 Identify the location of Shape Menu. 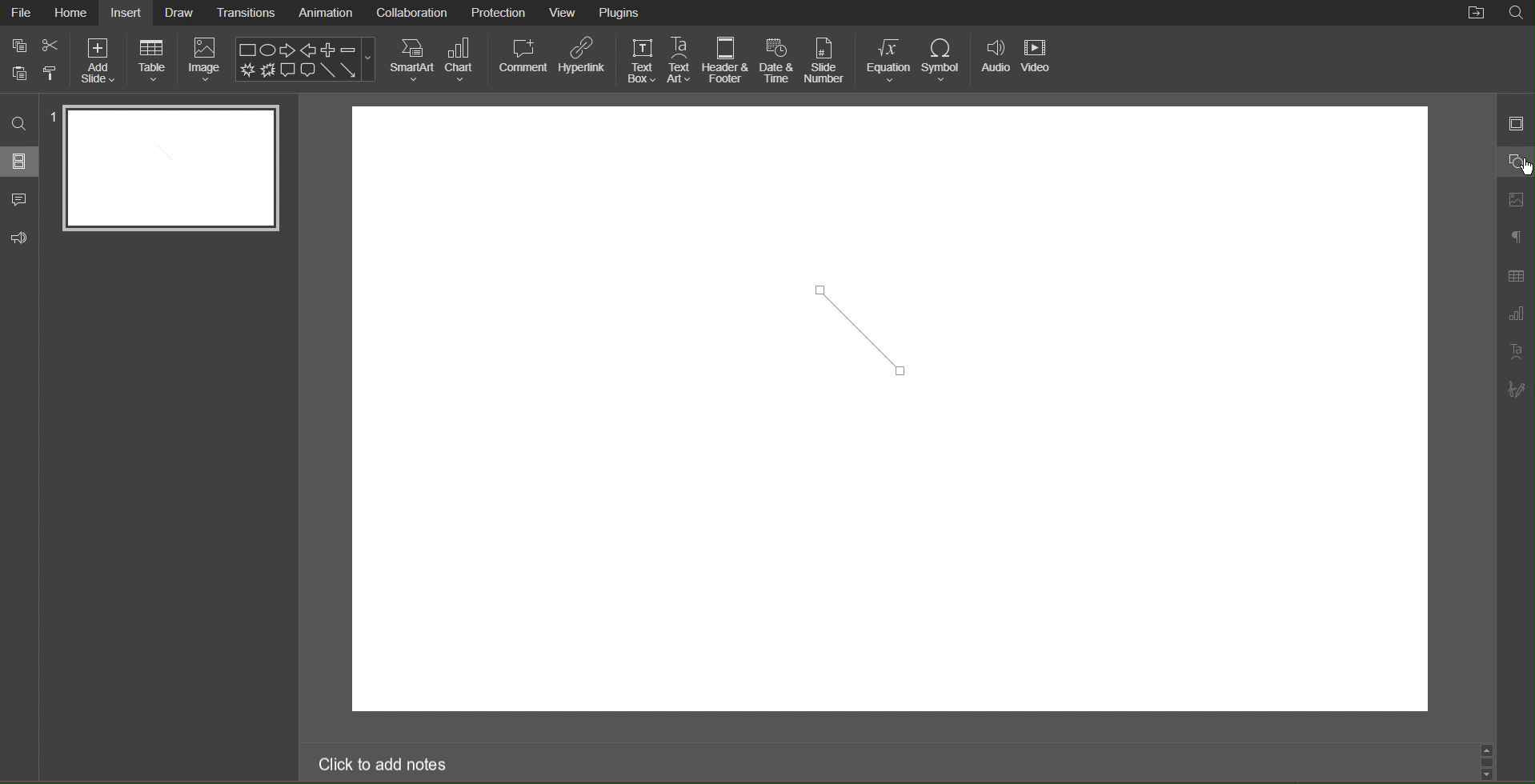
(305, 58).